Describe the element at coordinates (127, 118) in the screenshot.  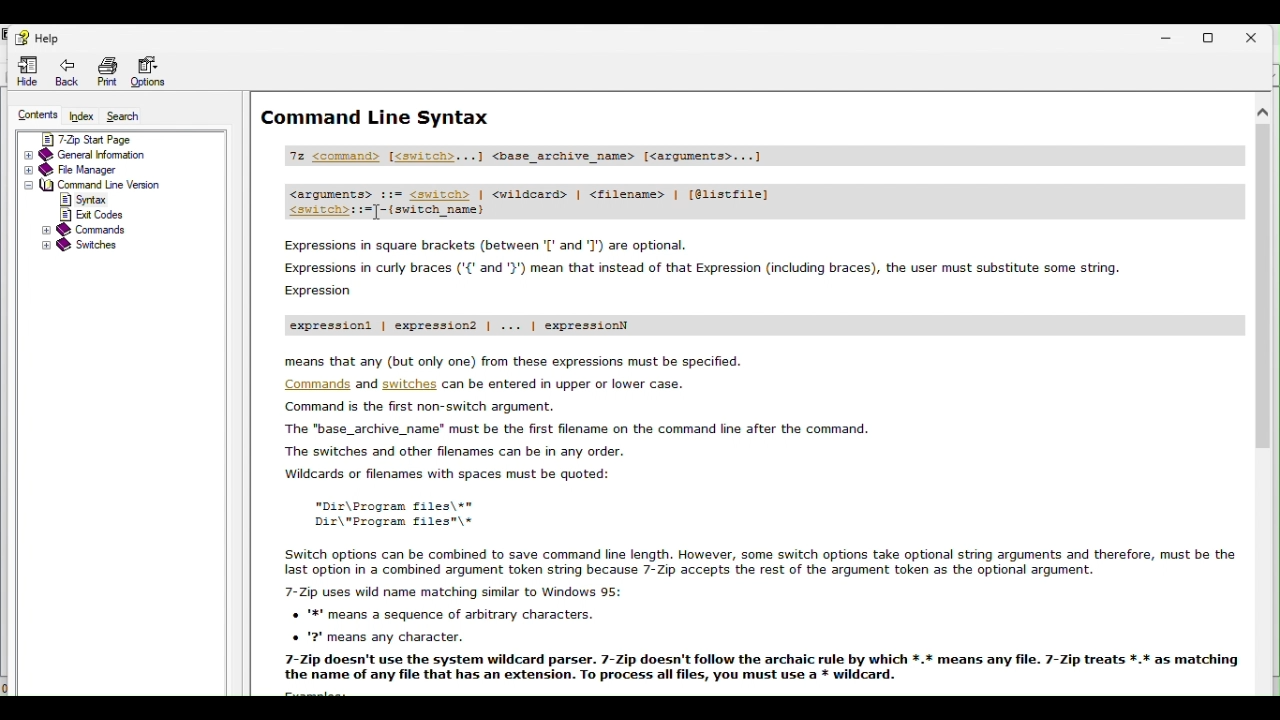
I see `Search` at that location.